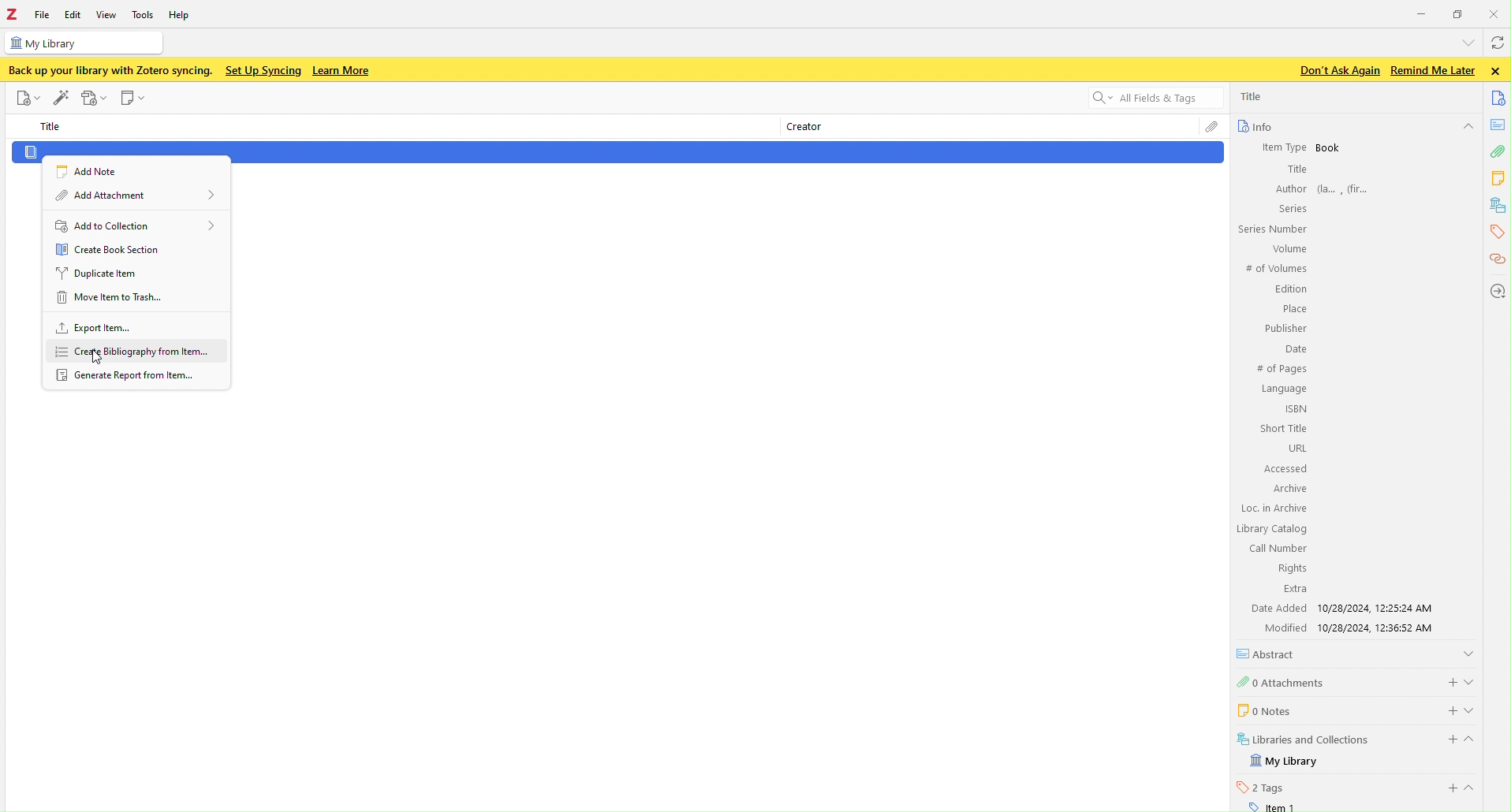 The width and height of the screenshot is (1511, 812). I want to click on duplicate item , so click(135, 272).